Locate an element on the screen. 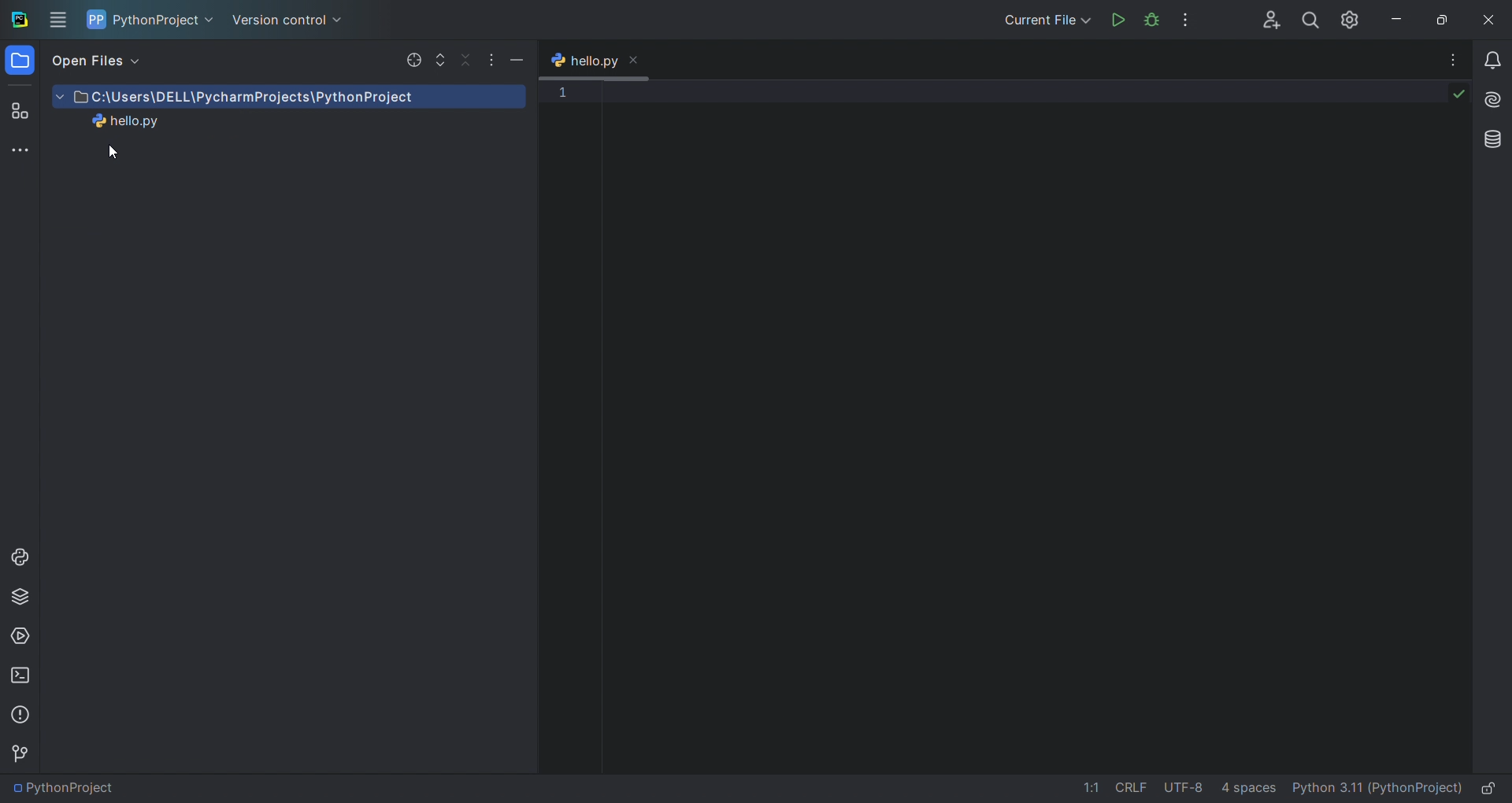 The width and height of the screenshot is (1512, 803). options is located at coordinates (1191, 20).